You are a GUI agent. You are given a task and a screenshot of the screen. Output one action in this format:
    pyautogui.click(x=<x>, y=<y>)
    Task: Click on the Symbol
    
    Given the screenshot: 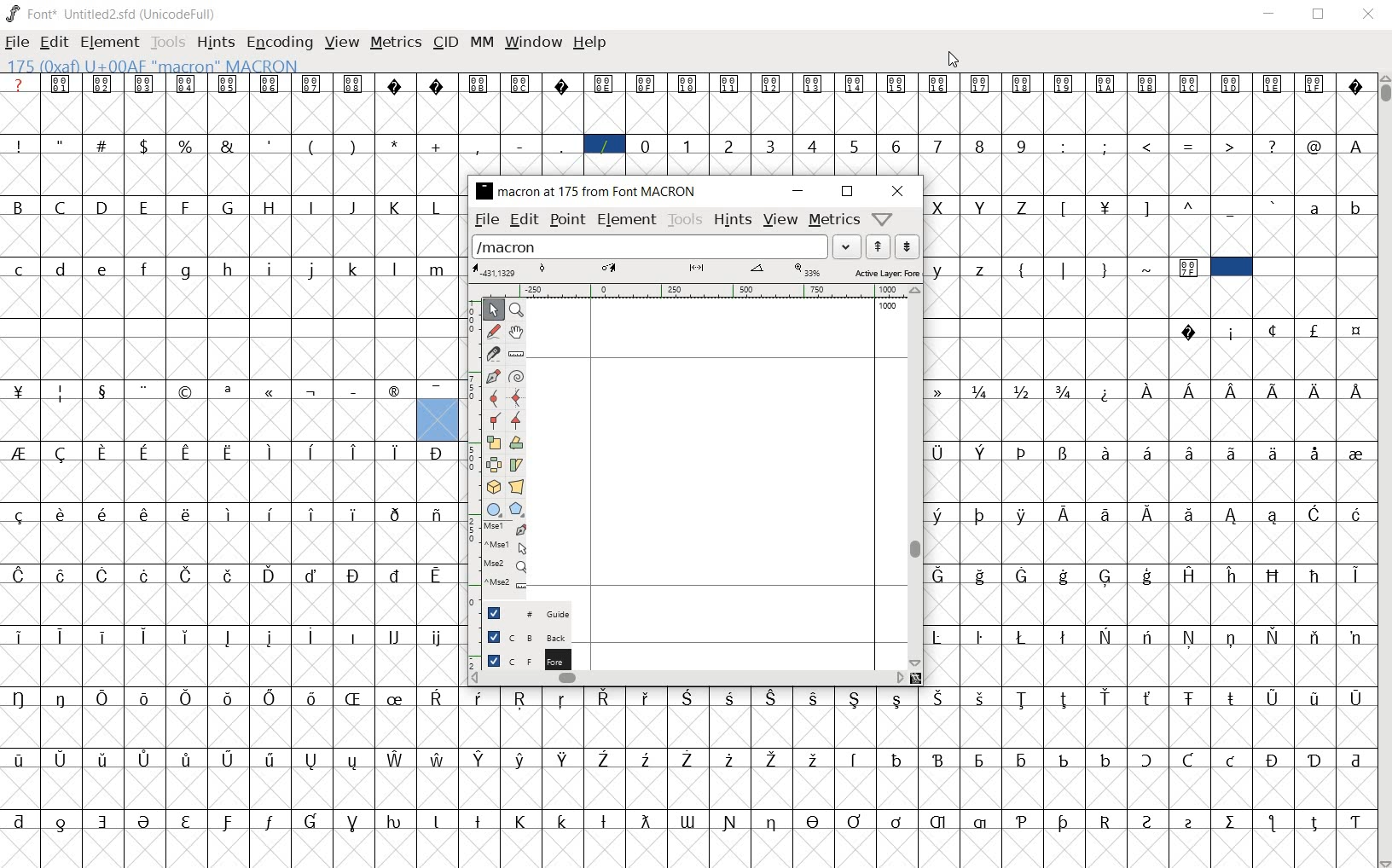 What is the action you would take?
    pyautogui.click(x=63, y=635)
    